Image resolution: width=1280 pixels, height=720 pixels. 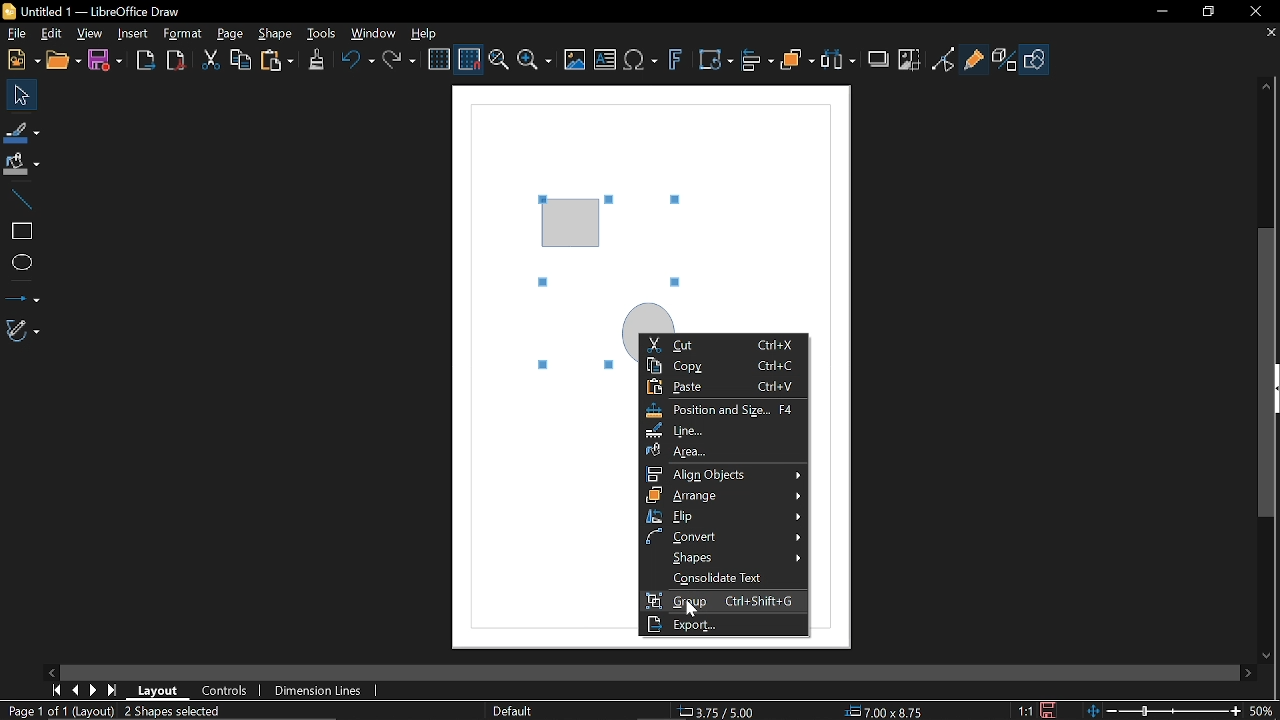 I want to click on Window, so click(x=374, y=35).